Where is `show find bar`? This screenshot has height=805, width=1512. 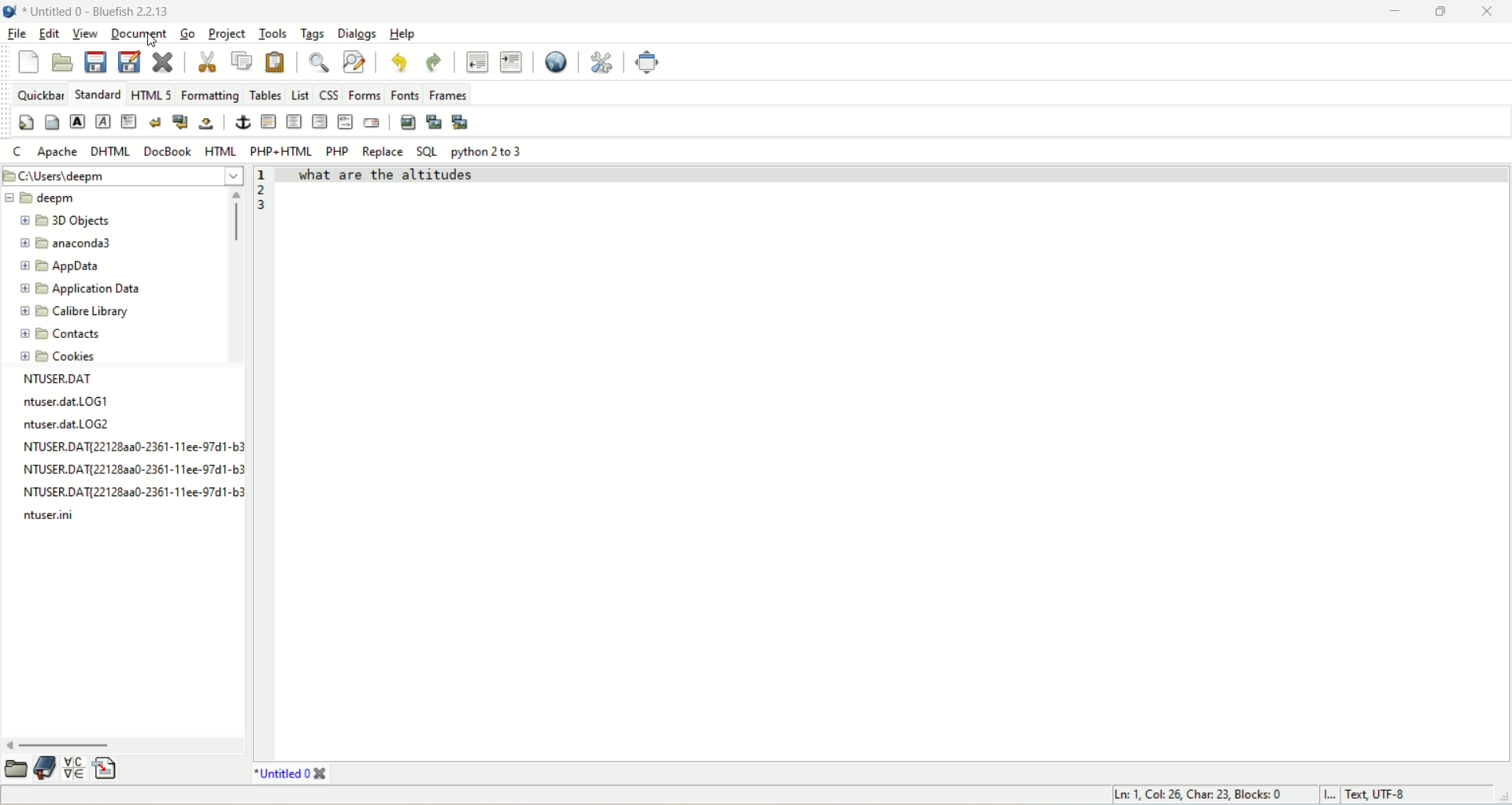
show find bar is located at coordinates (321, 64).